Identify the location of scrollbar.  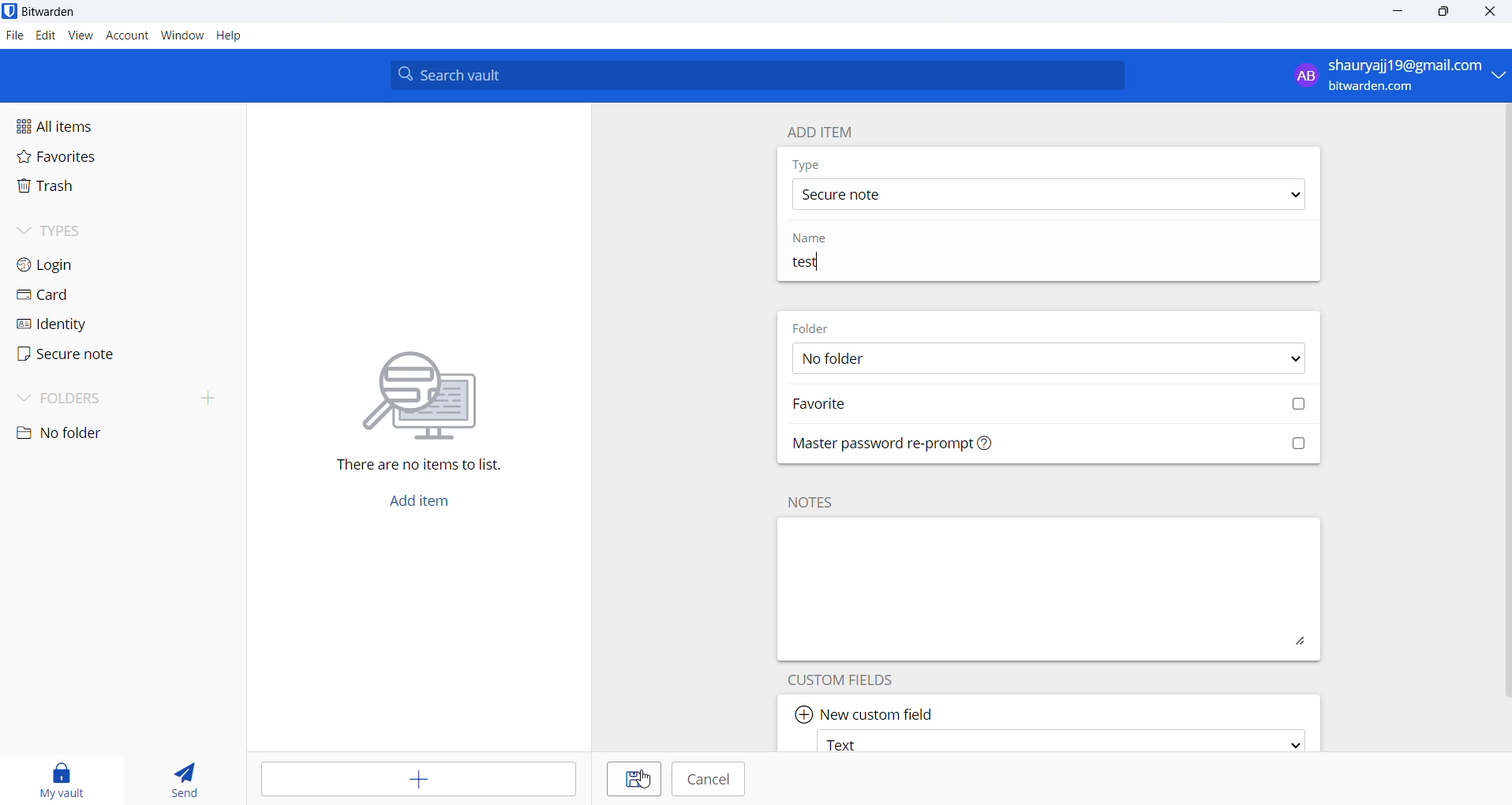
(1510, 403).